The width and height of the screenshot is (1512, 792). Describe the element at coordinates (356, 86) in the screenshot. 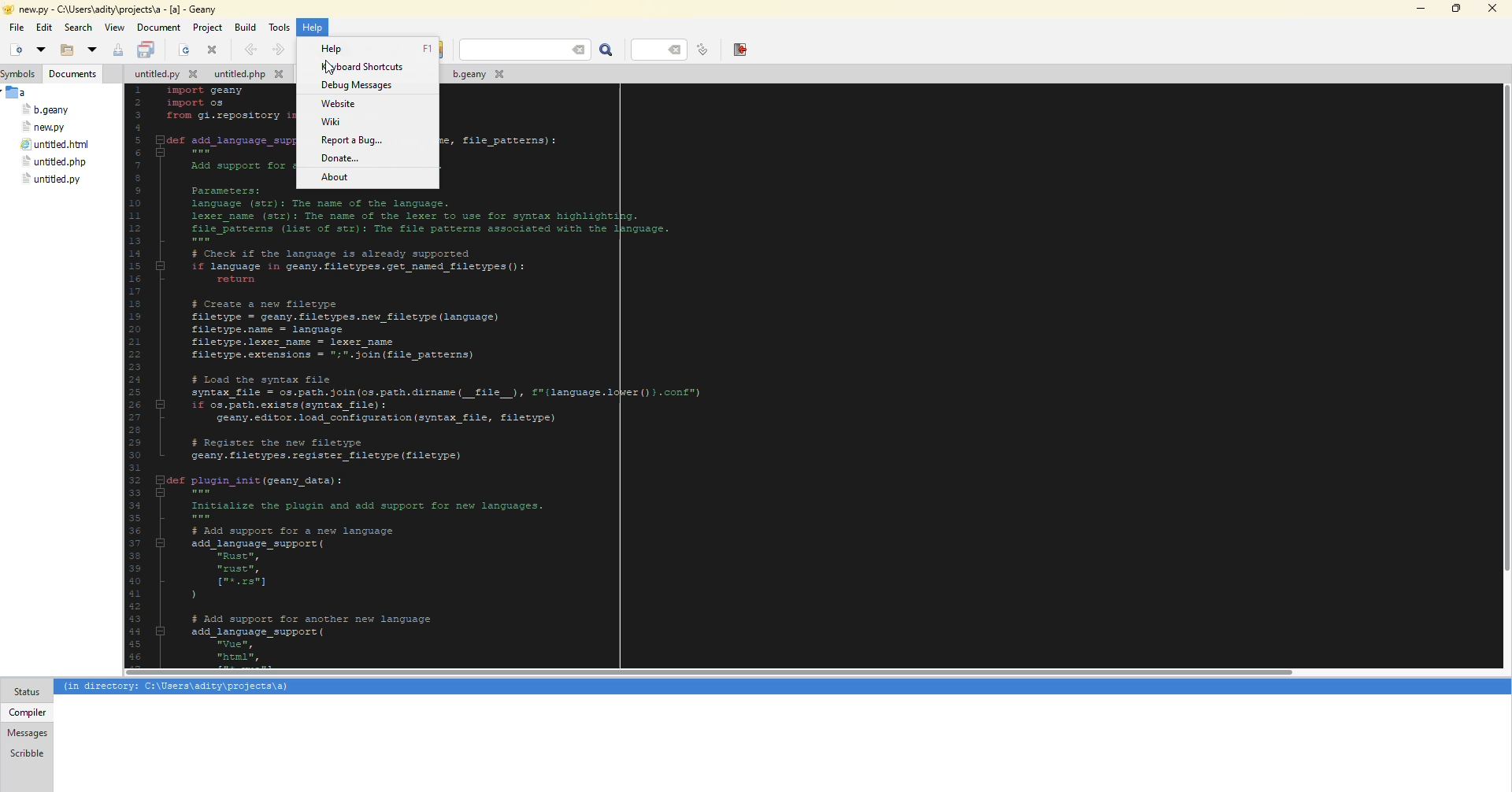

I see `debug messages` at that location.